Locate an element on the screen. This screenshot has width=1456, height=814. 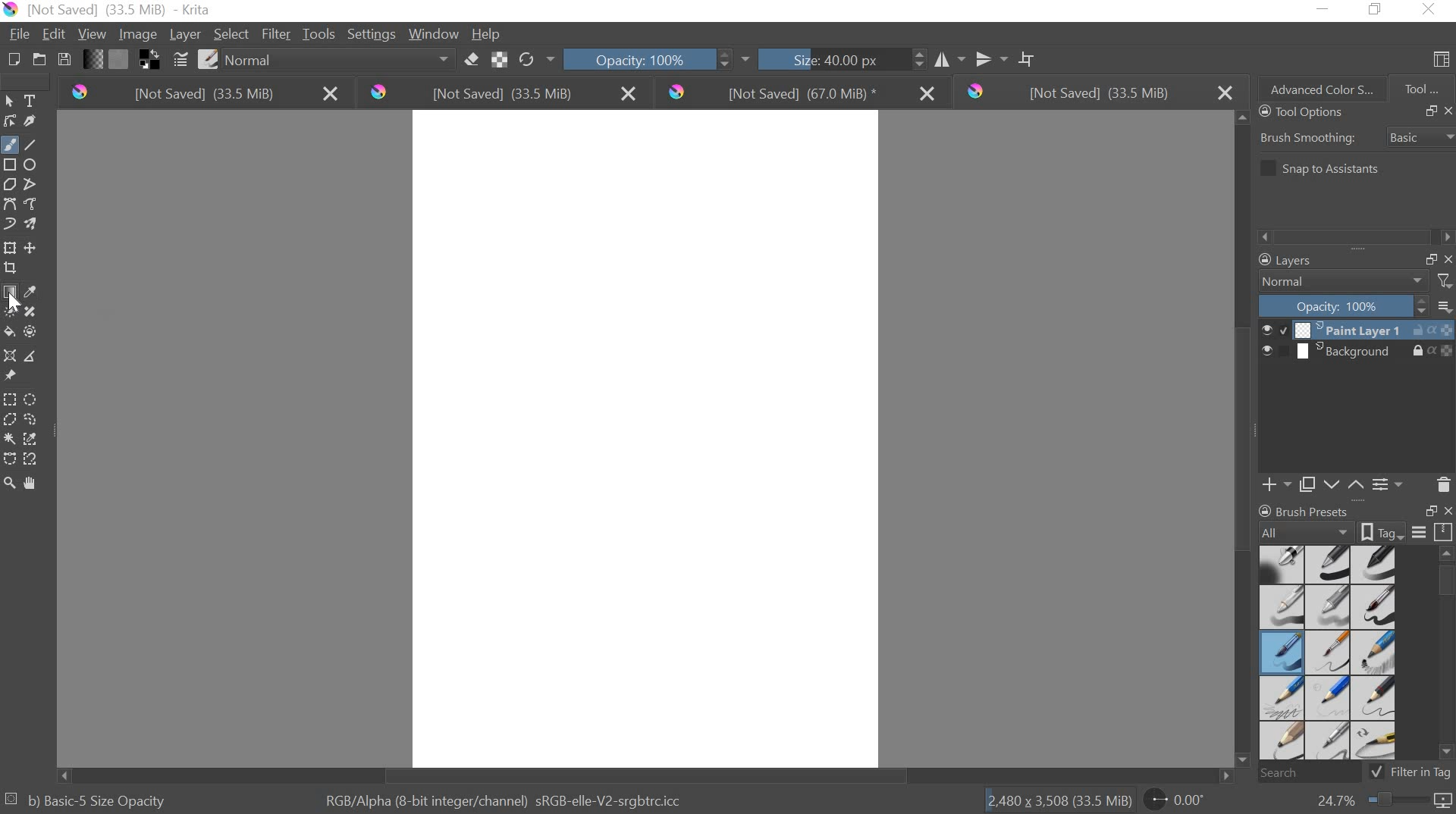
BRUSH PROPERTIES is located at coordinates (1313, 508).